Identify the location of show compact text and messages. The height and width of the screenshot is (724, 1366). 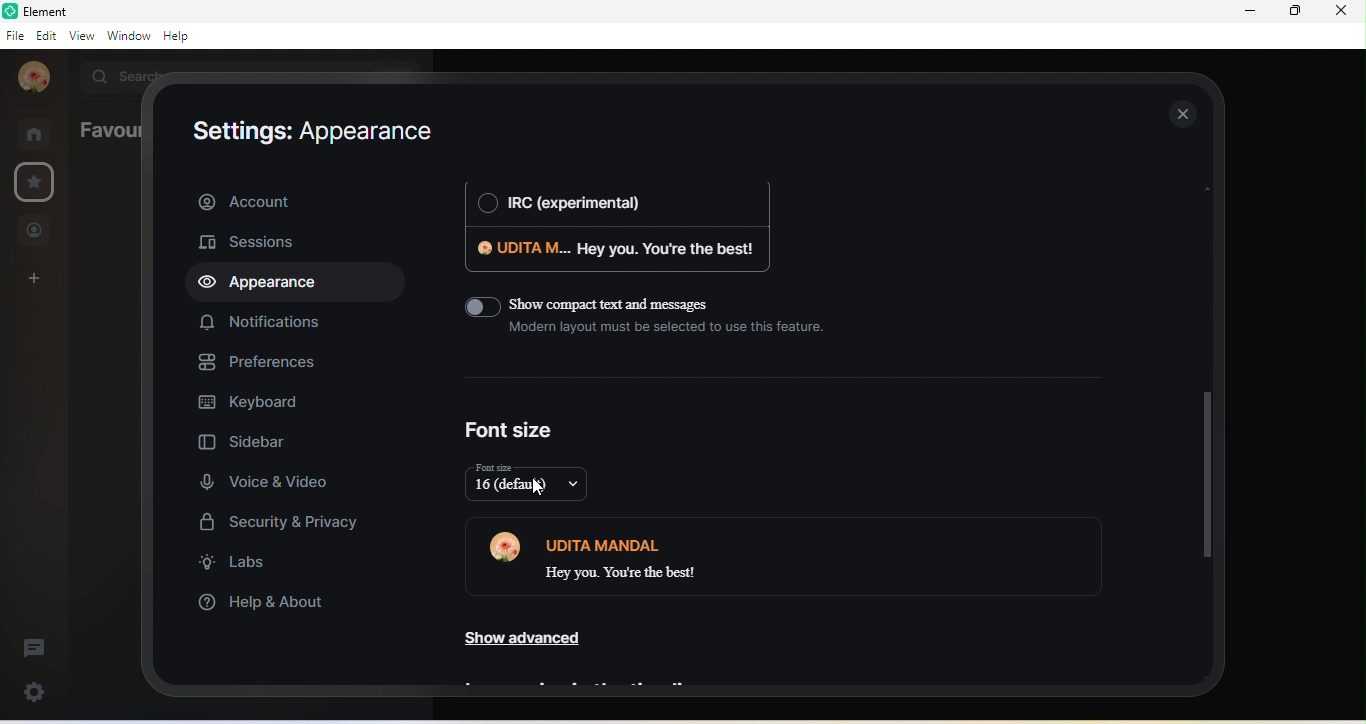
(654, 324).